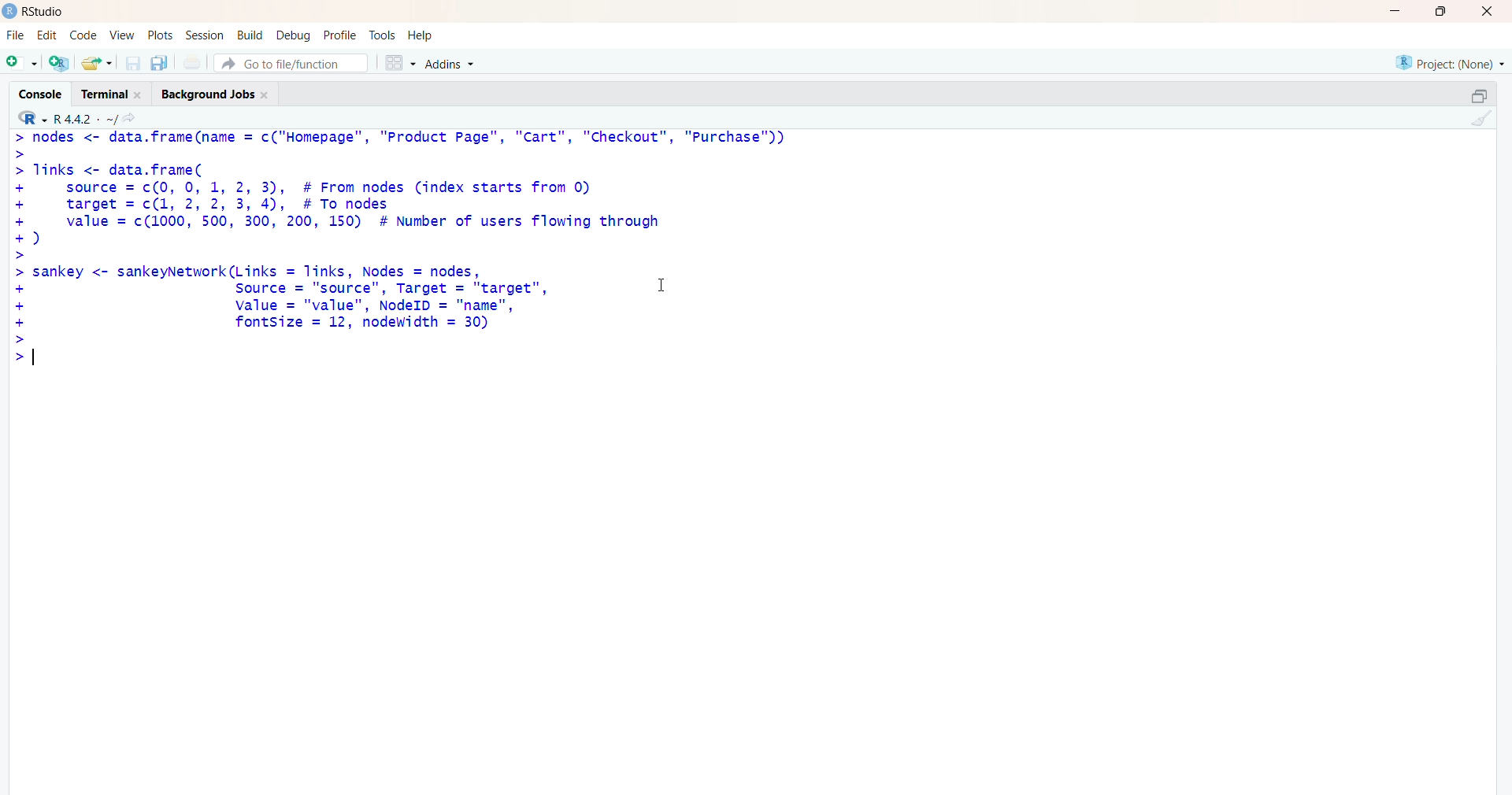 The height and width of the screenshot is (795, 1512). I want to click on file, so click(194, 62).